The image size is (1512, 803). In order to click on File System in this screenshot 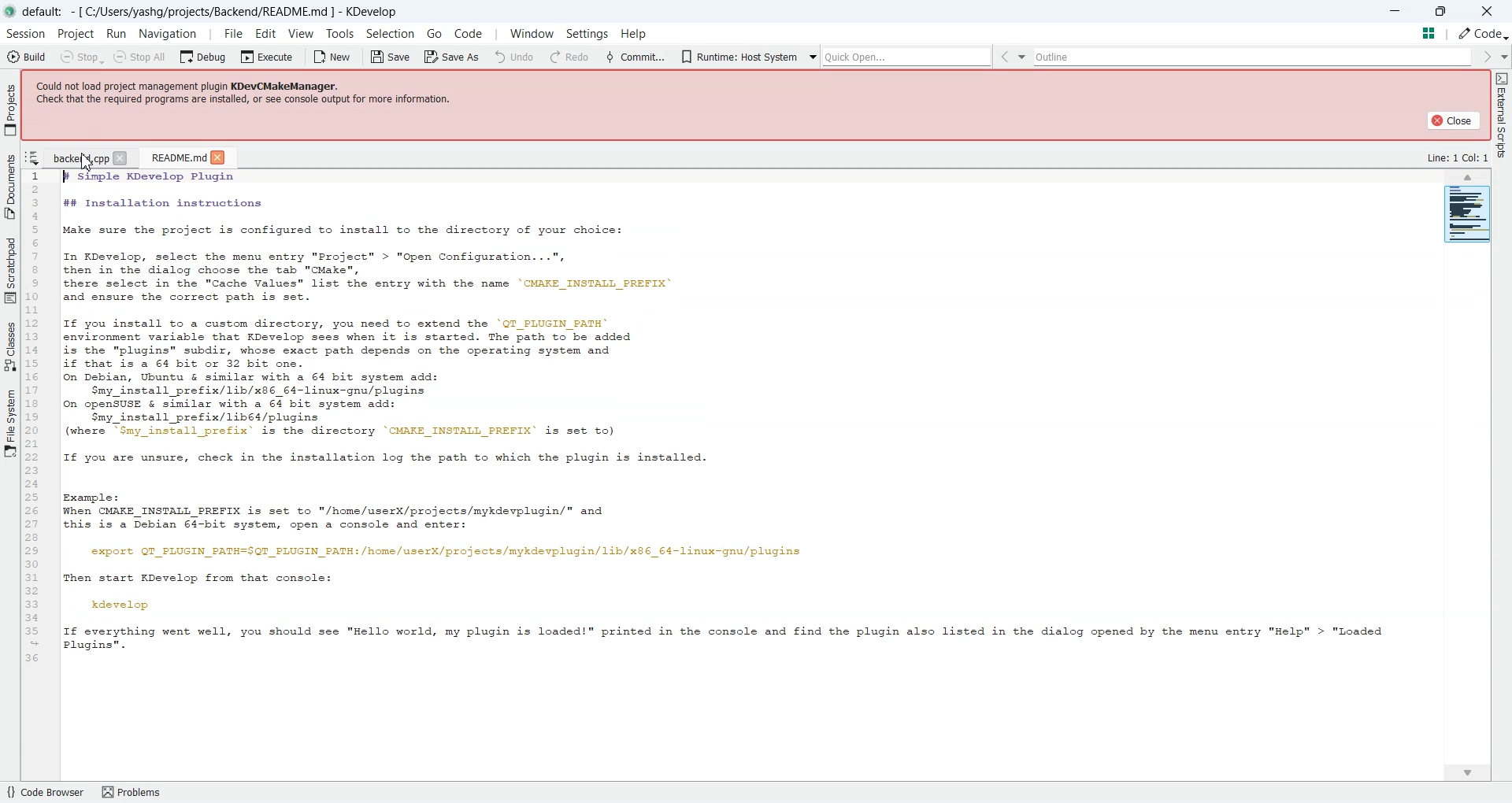, I will do `click(10, 422)`.